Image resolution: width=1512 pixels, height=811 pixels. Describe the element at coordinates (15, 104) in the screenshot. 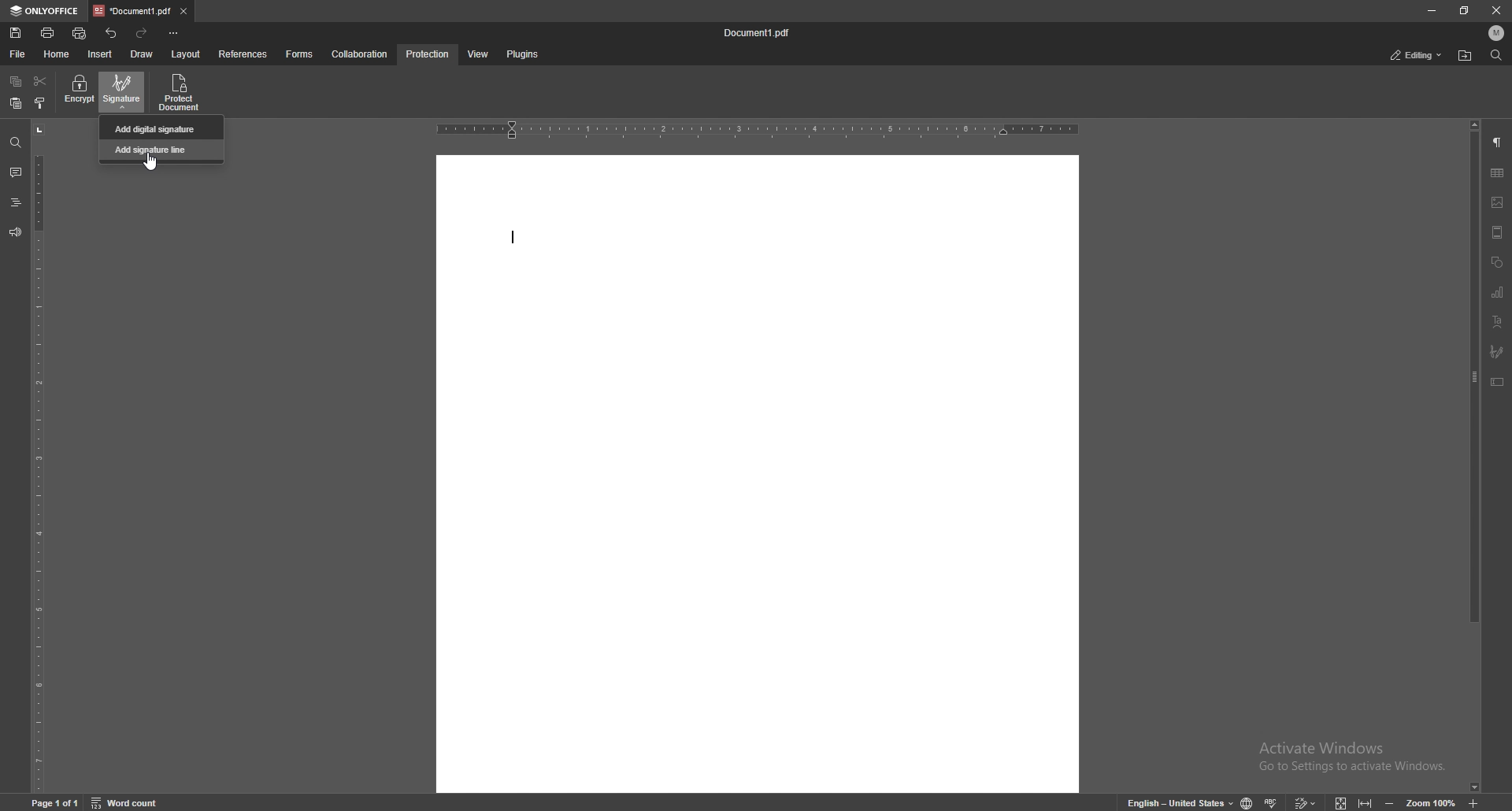

I see `paste` at that location.